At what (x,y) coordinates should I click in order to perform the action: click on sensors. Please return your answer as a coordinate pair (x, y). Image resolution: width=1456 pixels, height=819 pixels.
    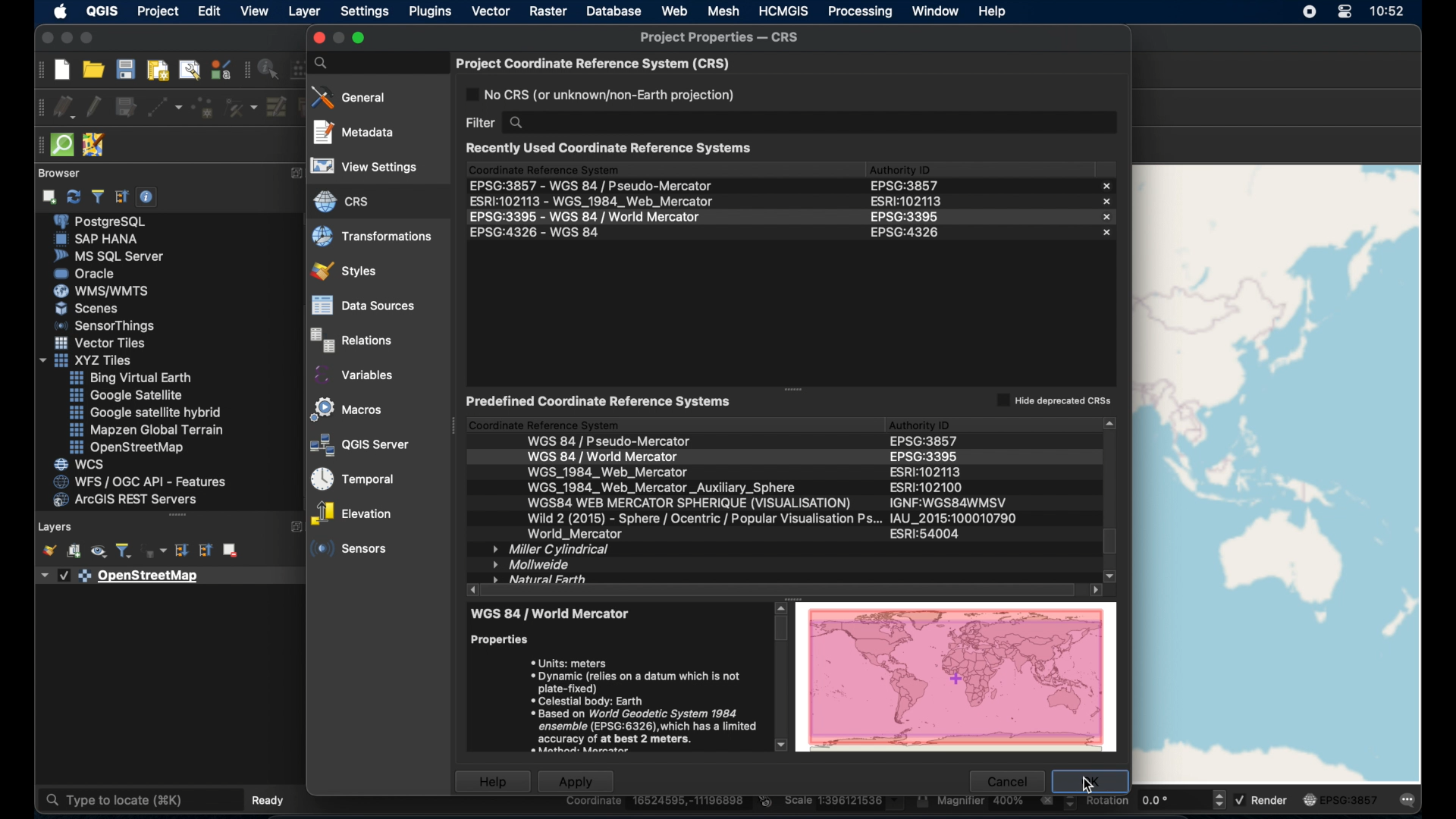
    Looking at the image, I should click on (351, 551).